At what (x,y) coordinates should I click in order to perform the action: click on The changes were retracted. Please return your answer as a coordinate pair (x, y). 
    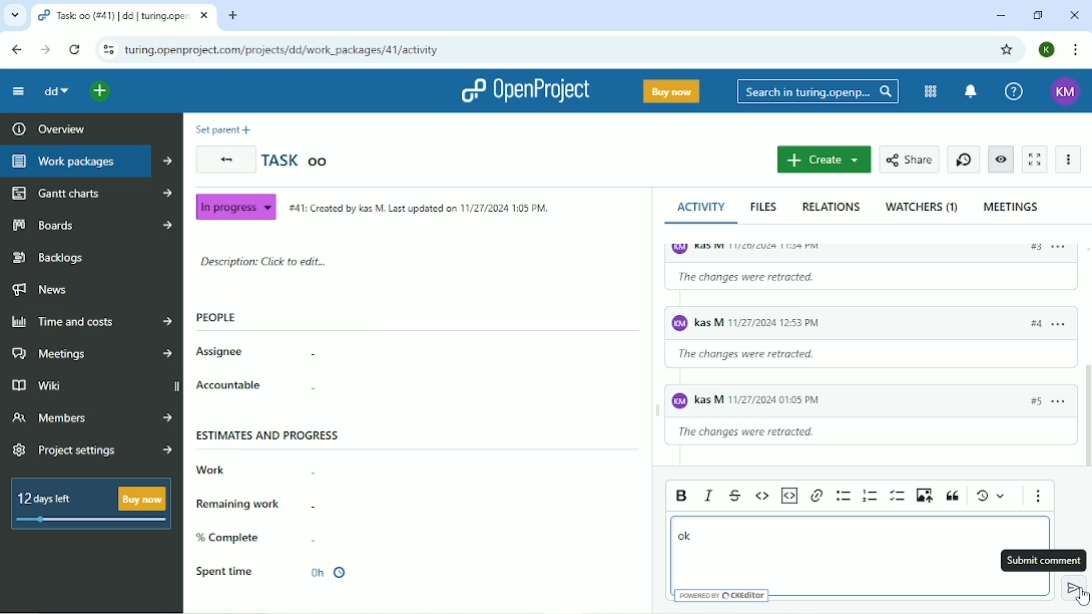
    Looking at the image, I should click on (808, 285).